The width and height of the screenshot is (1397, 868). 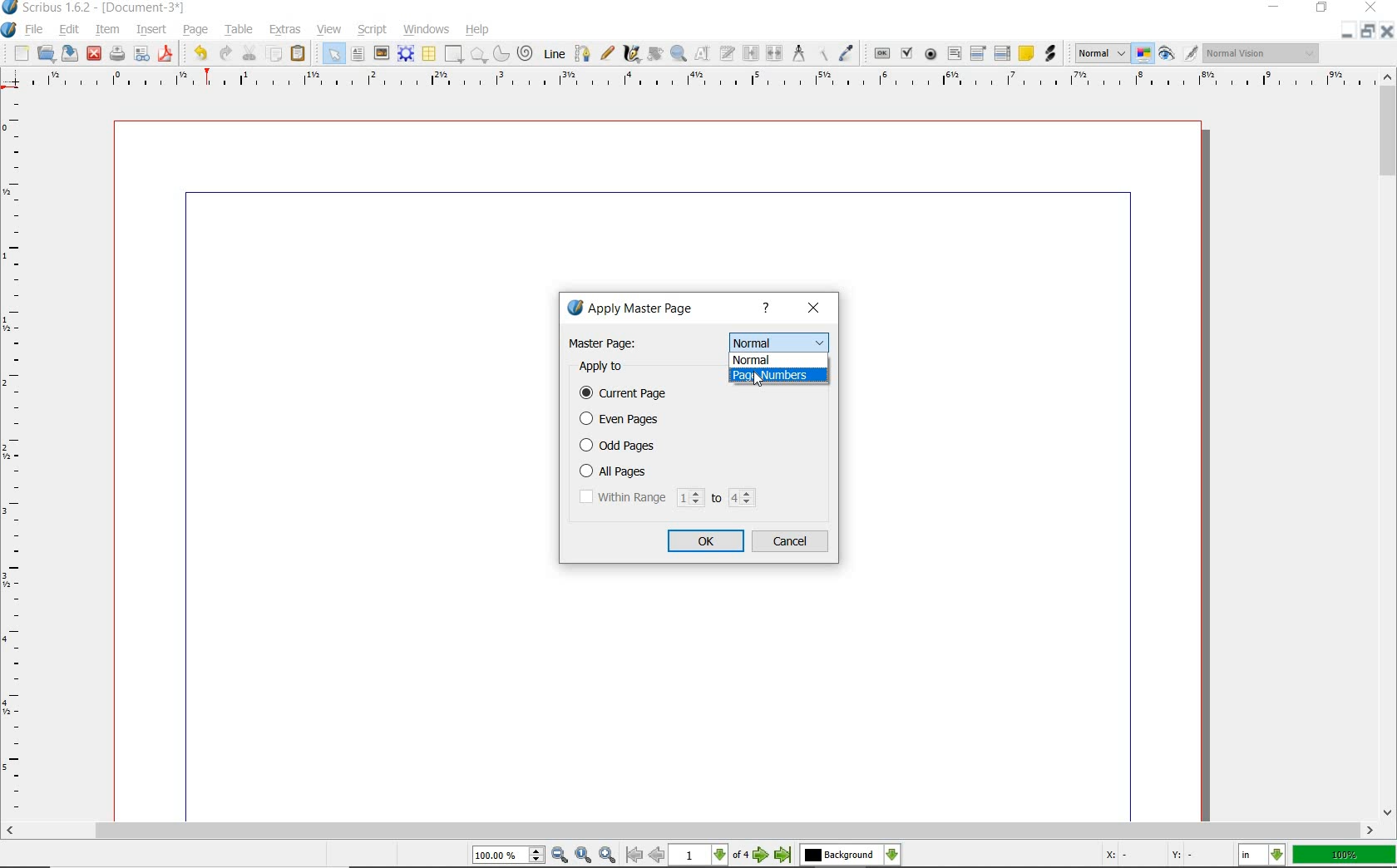 What do you see at coordinates (584, 856) in the screenshot?
I see `Zoom to 100%` at bounding box center [584, 856].